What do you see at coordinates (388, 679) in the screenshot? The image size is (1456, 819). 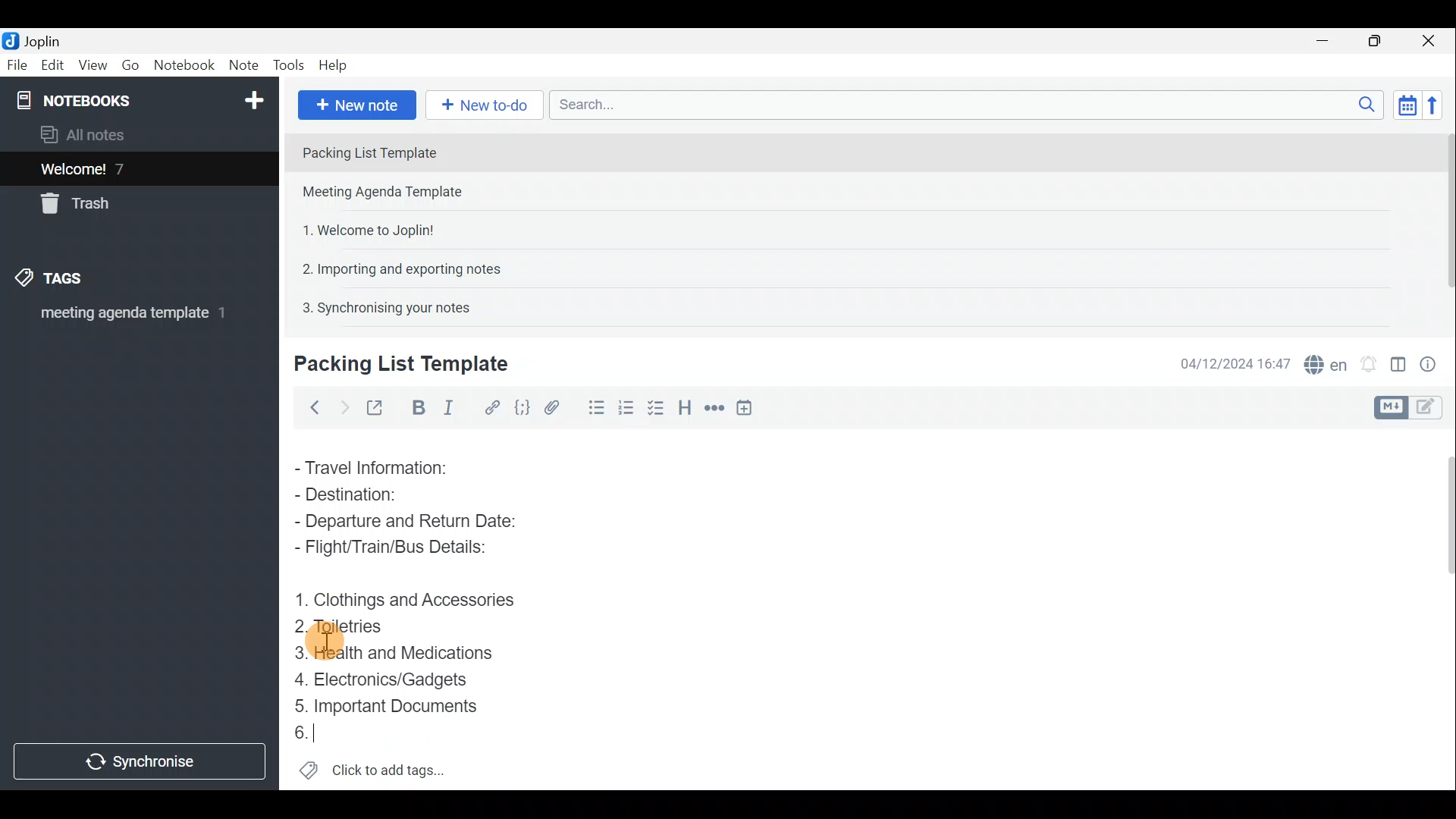 I see `Electronics/Gadgets` at bounding box center [388, 679].